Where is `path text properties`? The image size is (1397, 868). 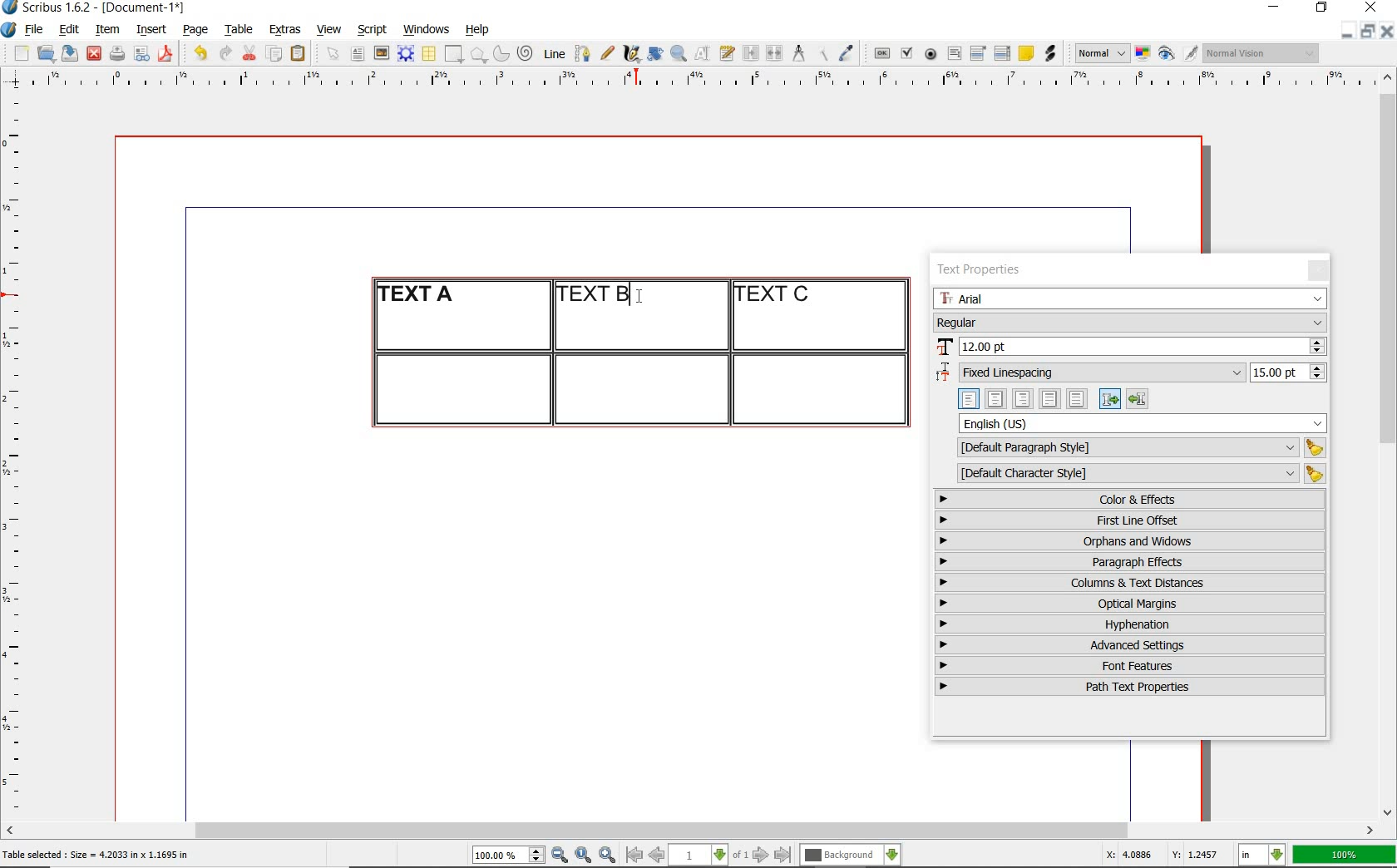 path text properties is located at coordinates (1128, 687).